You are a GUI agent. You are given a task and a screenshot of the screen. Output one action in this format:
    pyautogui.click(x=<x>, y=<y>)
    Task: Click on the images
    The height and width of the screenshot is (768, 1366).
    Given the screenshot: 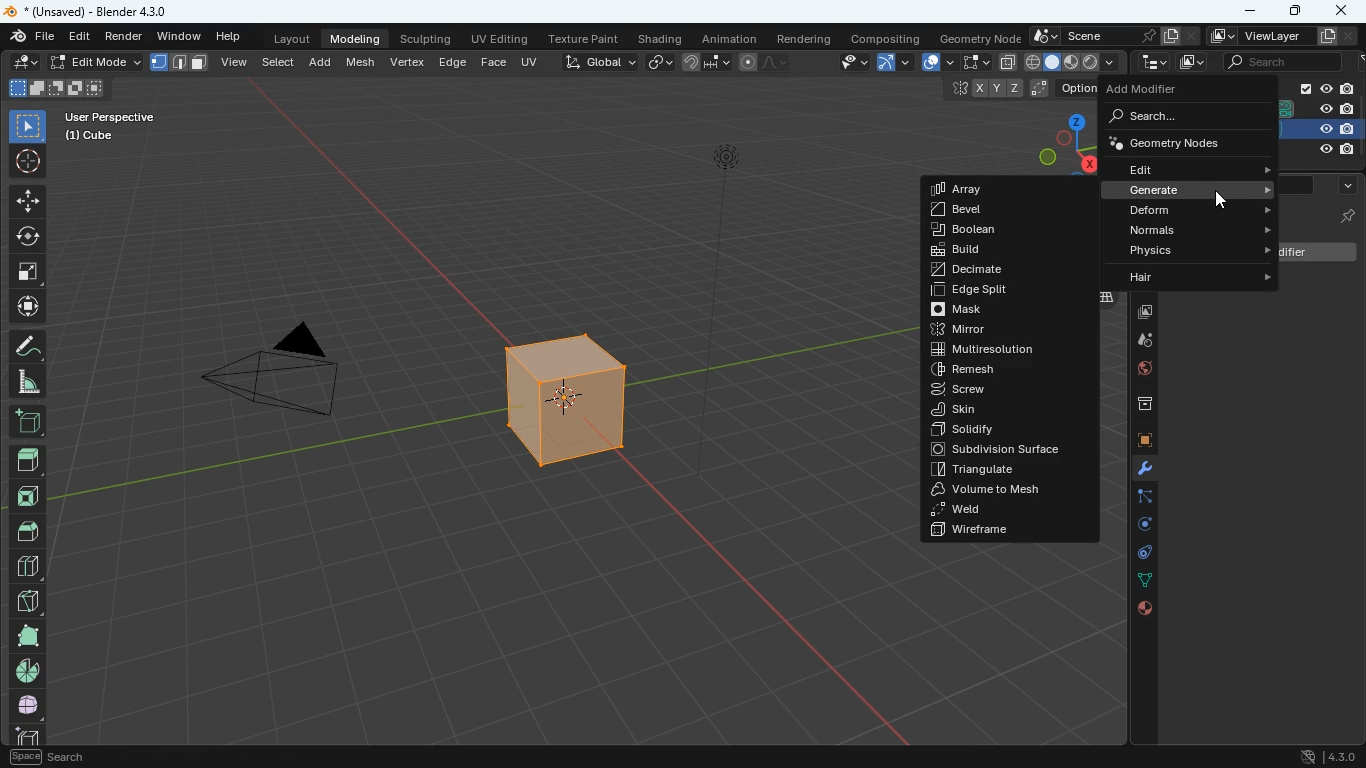 What is the action you would take?
    pyautogui.click(x=1140, y=314)
    